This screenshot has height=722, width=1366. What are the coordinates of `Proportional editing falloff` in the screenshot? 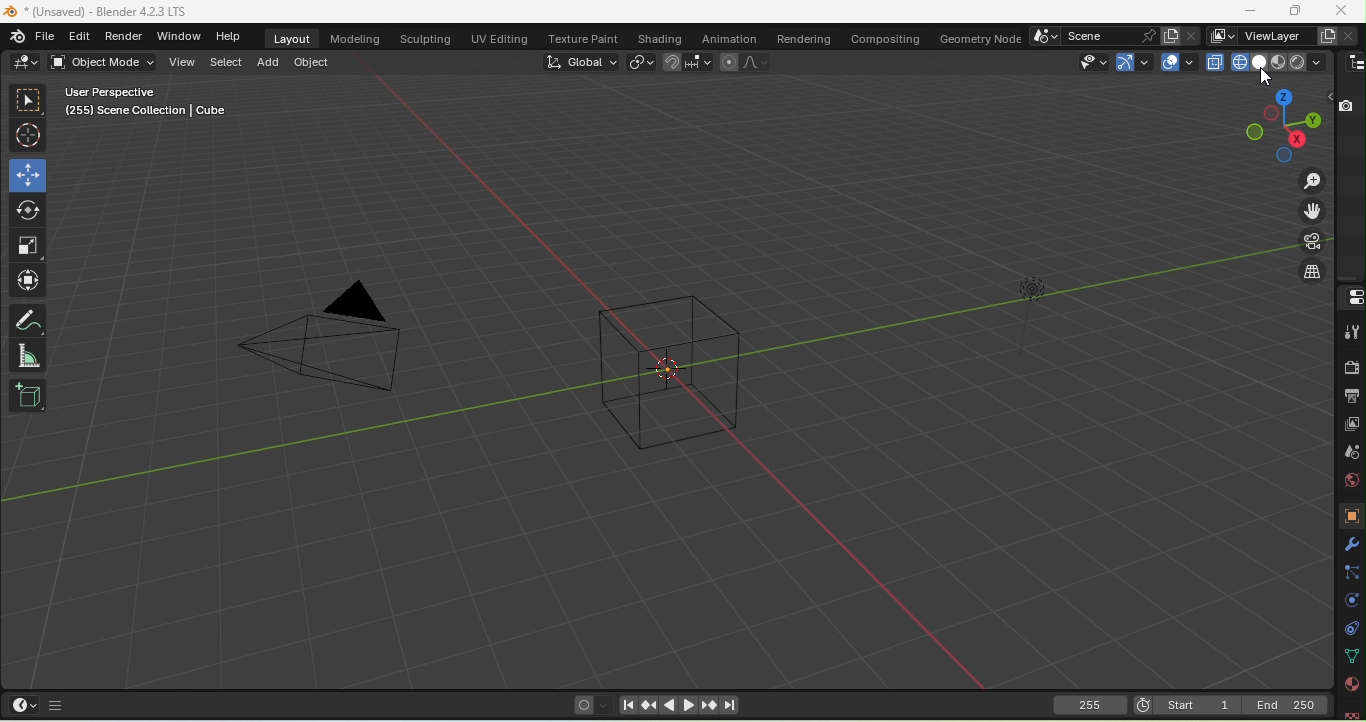 It's located at (758, 62).